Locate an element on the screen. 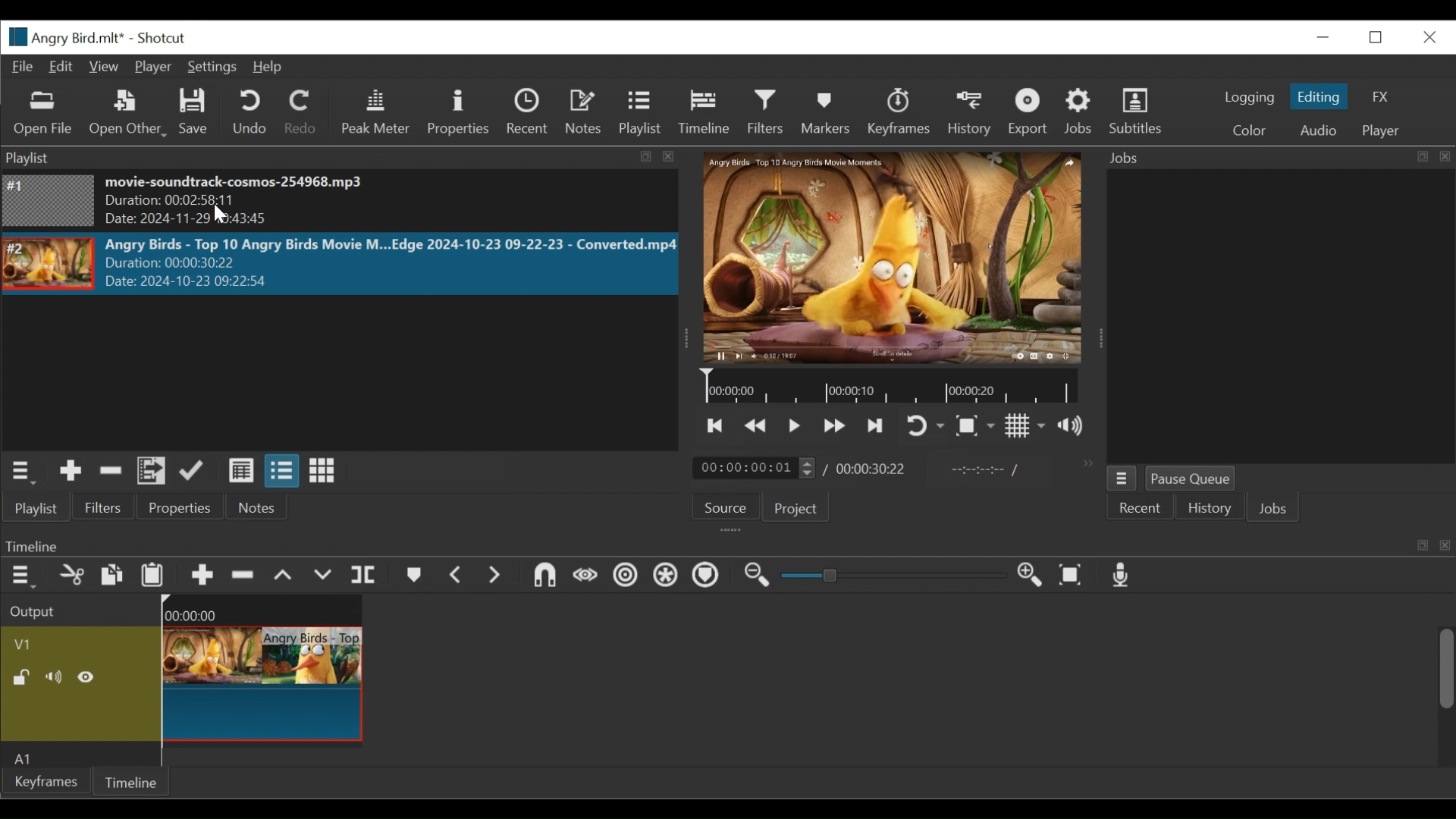 The height and width of the screenshot is (819, 1456). Keyframes is located at coordinates (897, 111).